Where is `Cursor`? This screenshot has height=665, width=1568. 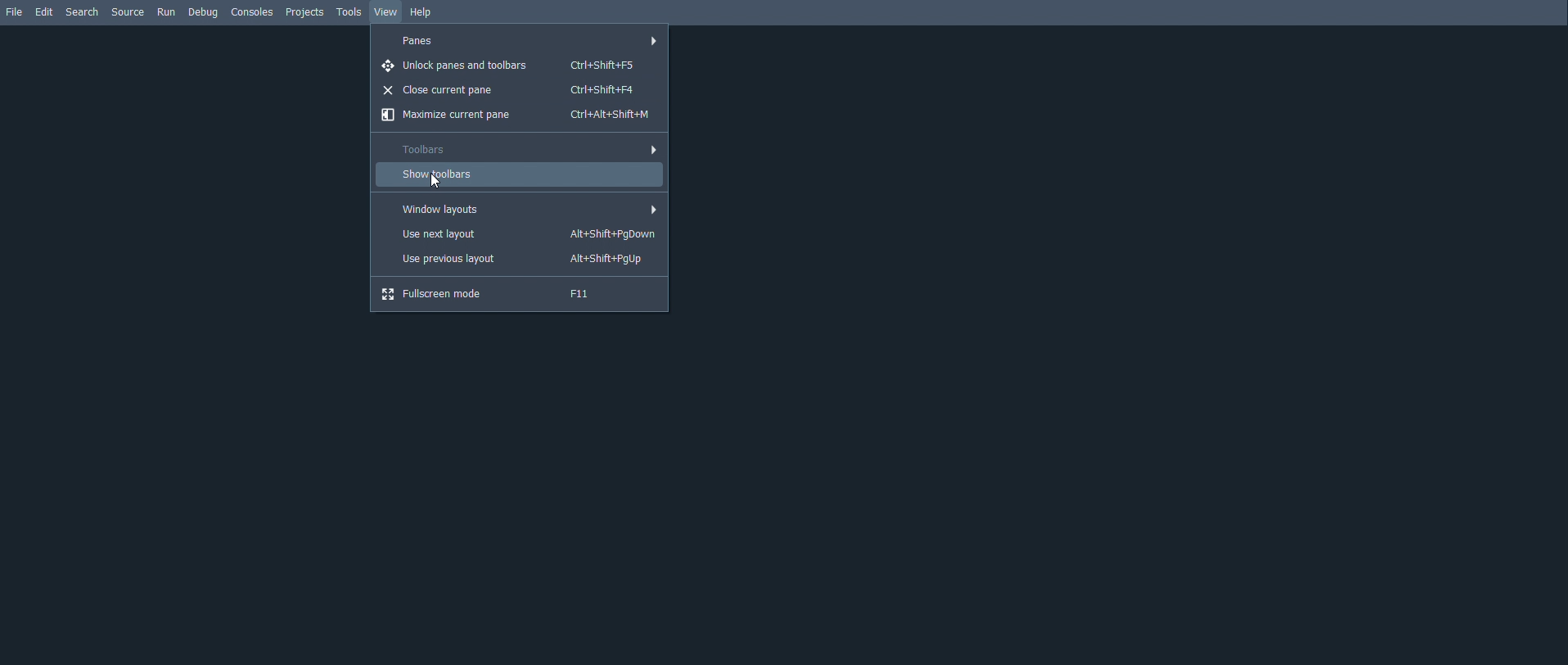
Cursor is located at coordinates (437, 181).